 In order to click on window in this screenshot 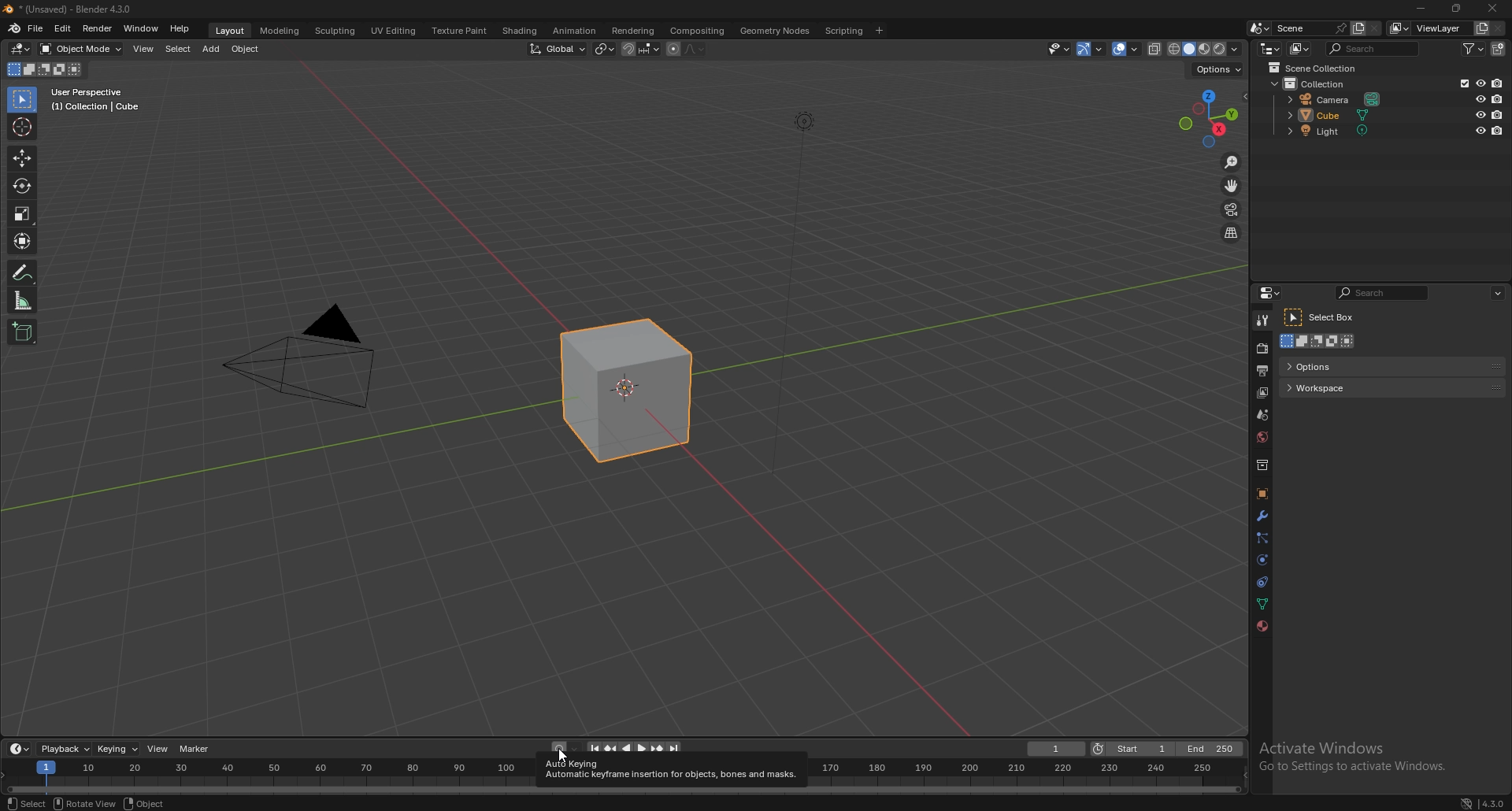, I will do `click(140, 28)`.